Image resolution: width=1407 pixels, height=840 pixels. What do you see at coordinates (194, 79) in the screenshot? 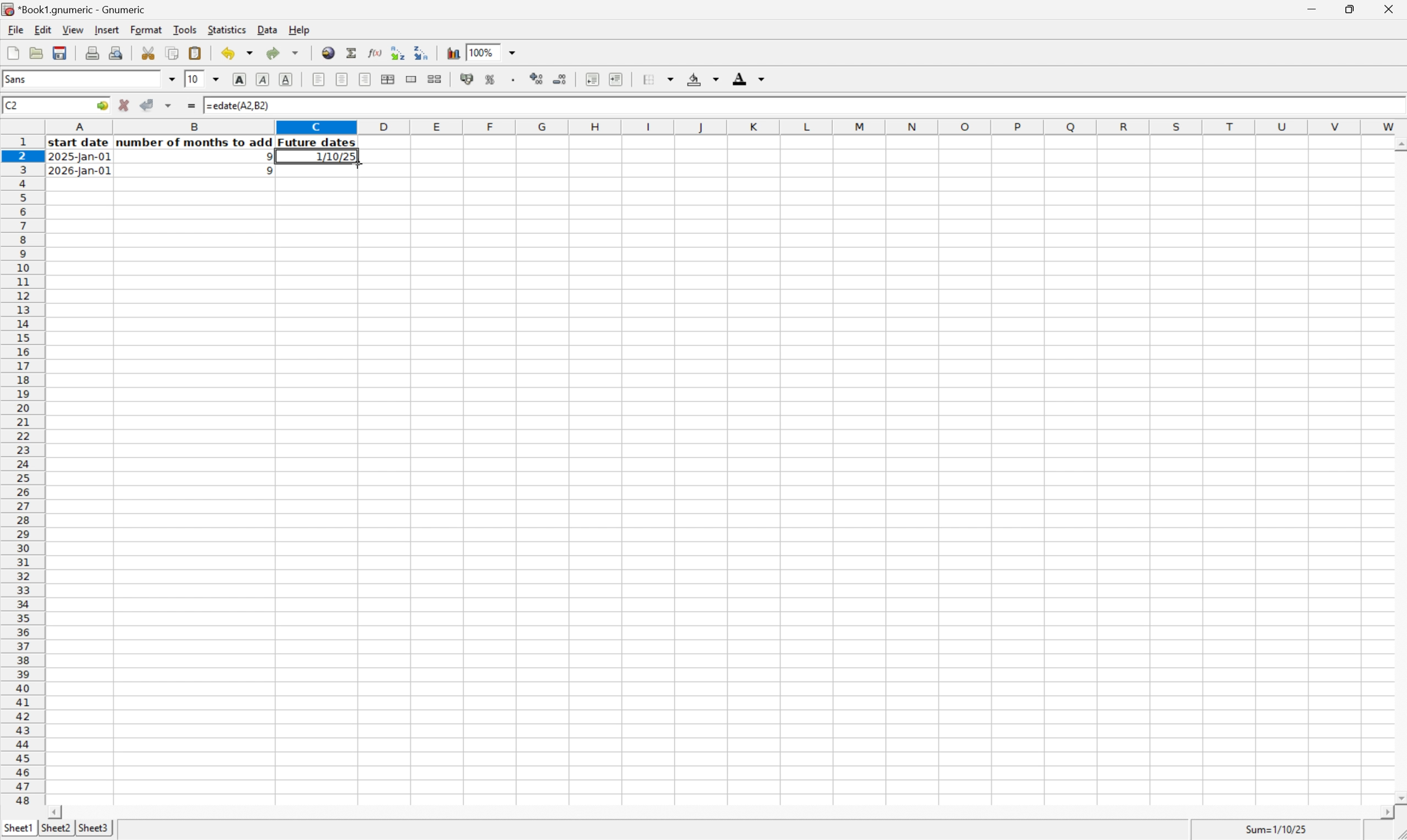
I see `10` at bounding box center [194, 79].